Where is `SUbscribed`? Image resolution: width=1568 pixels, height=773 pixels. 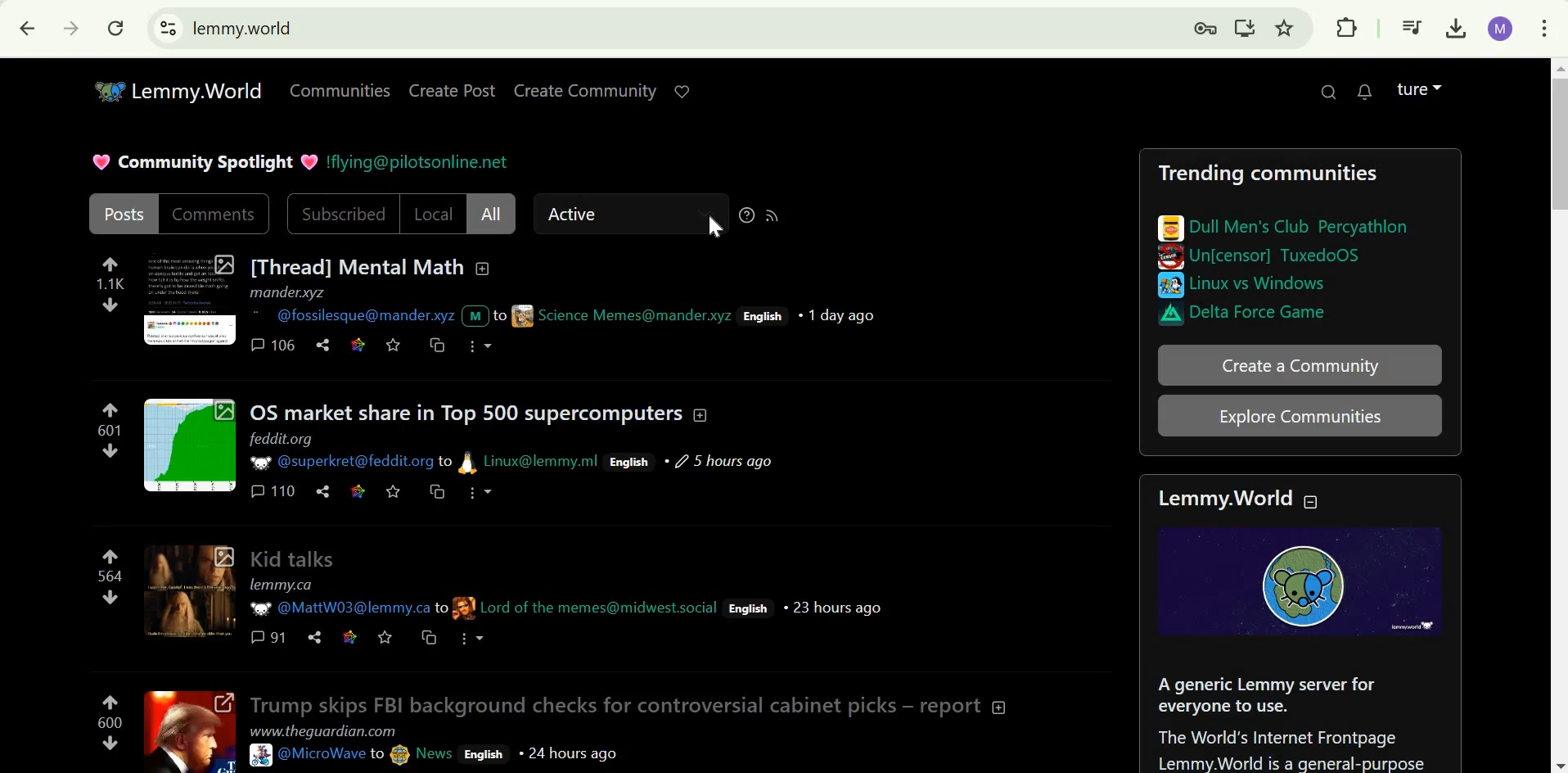
SUbscribed is located at coordinates (343, 212).